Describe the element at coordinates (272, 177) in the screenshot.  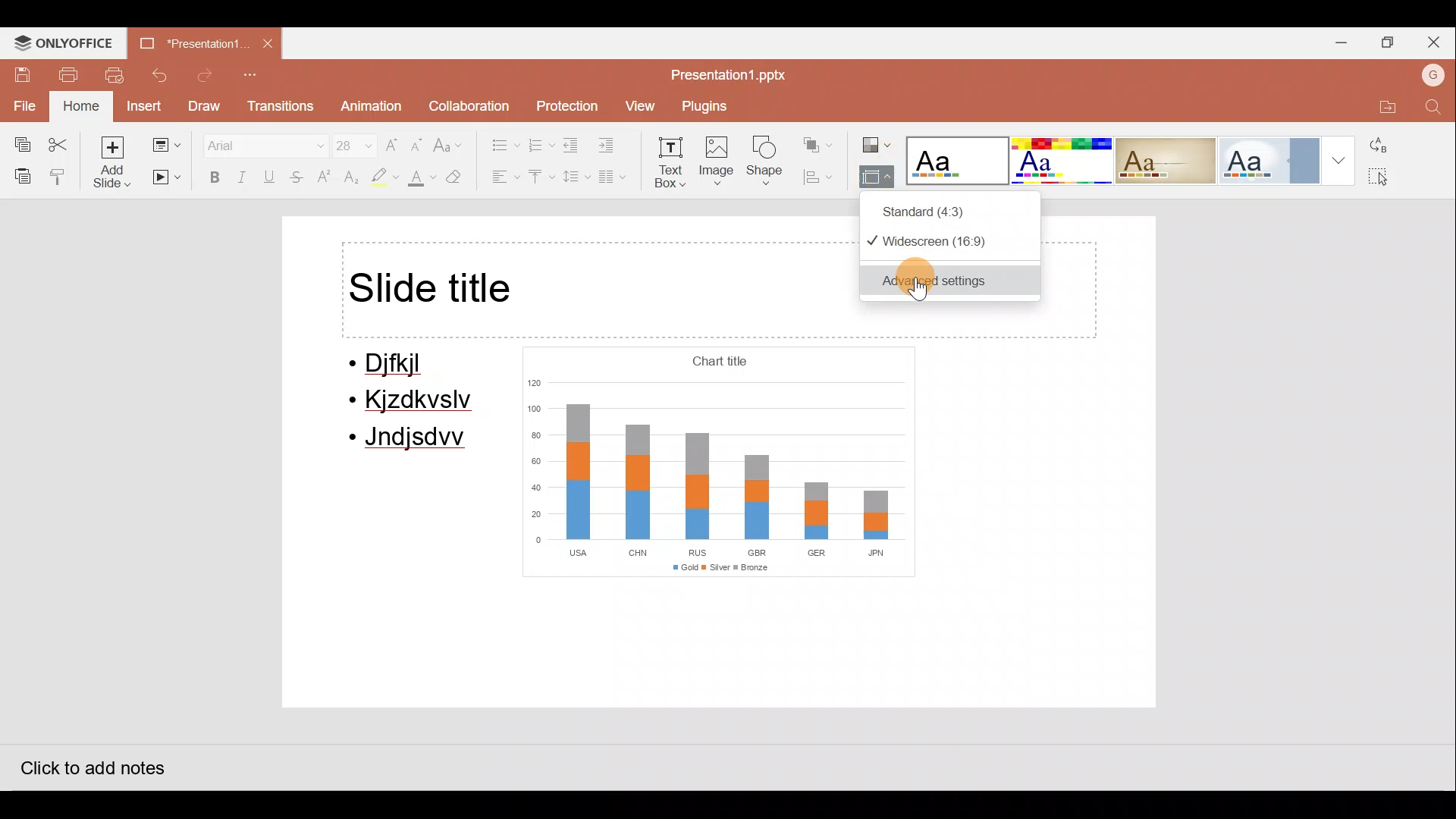
I see `Underline` at that location.